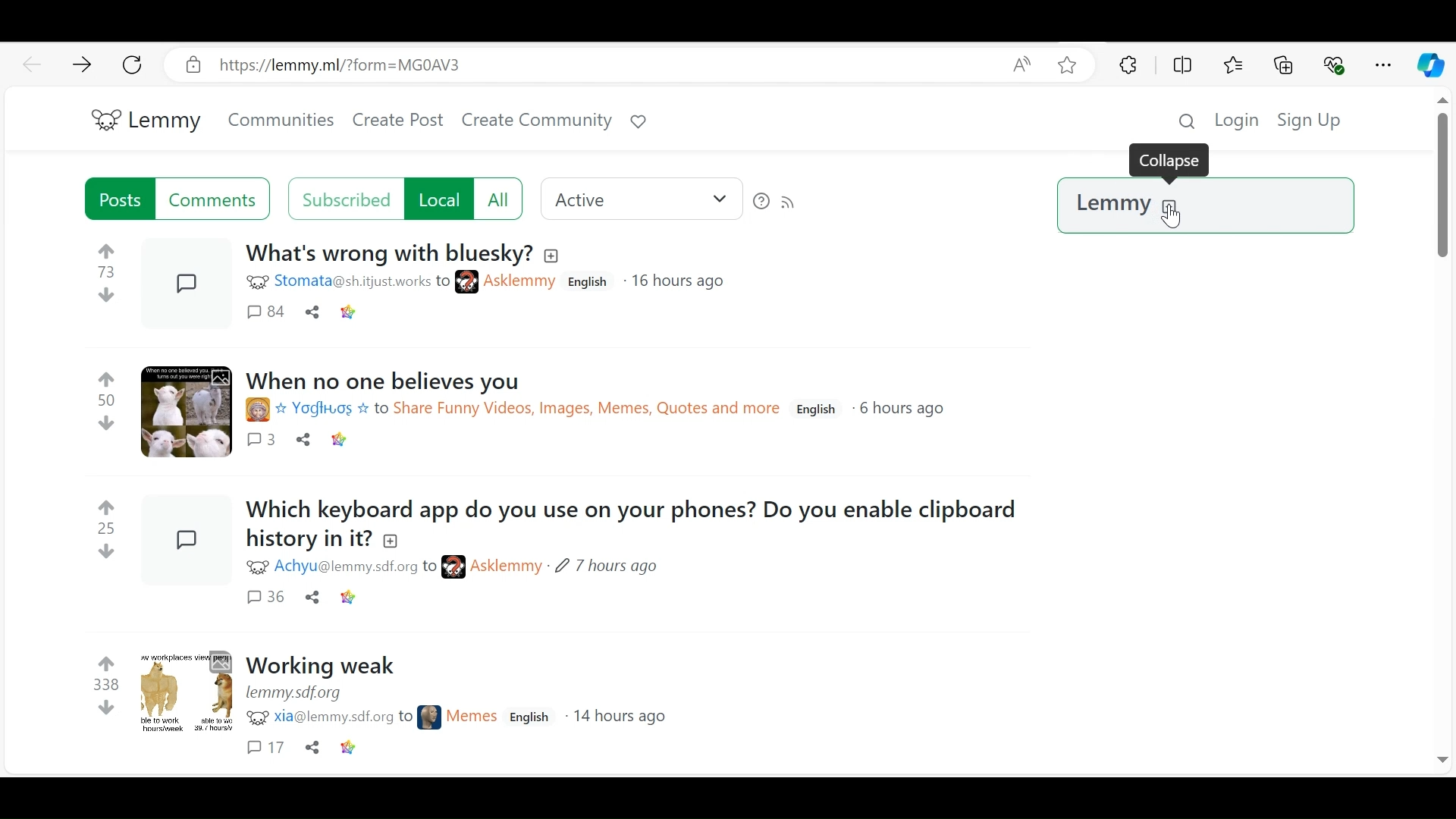  I want to click on , so click(1442, 102).